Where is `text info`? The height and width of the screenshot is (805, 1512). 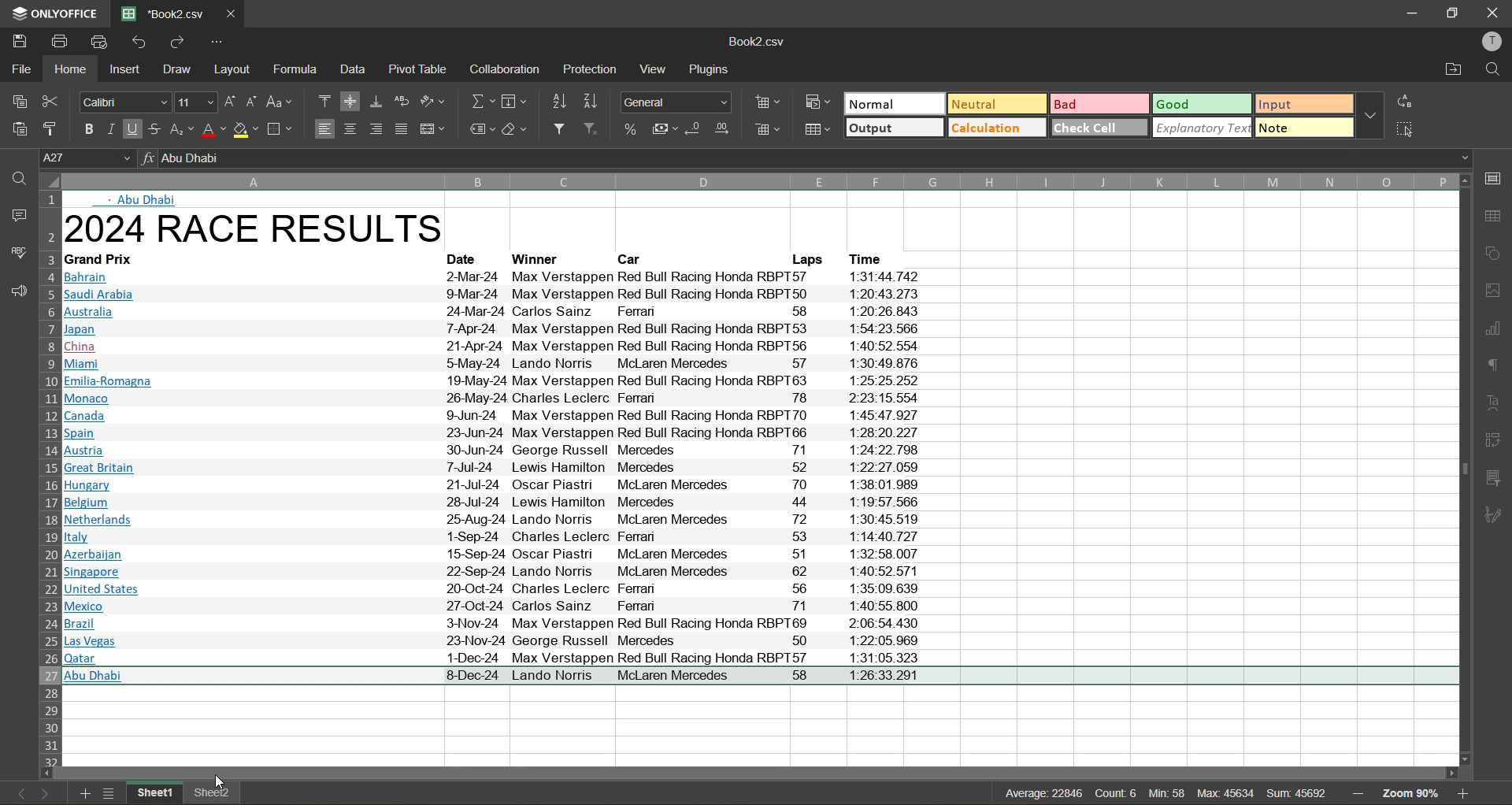 text info is located at coordinates (490, 640).